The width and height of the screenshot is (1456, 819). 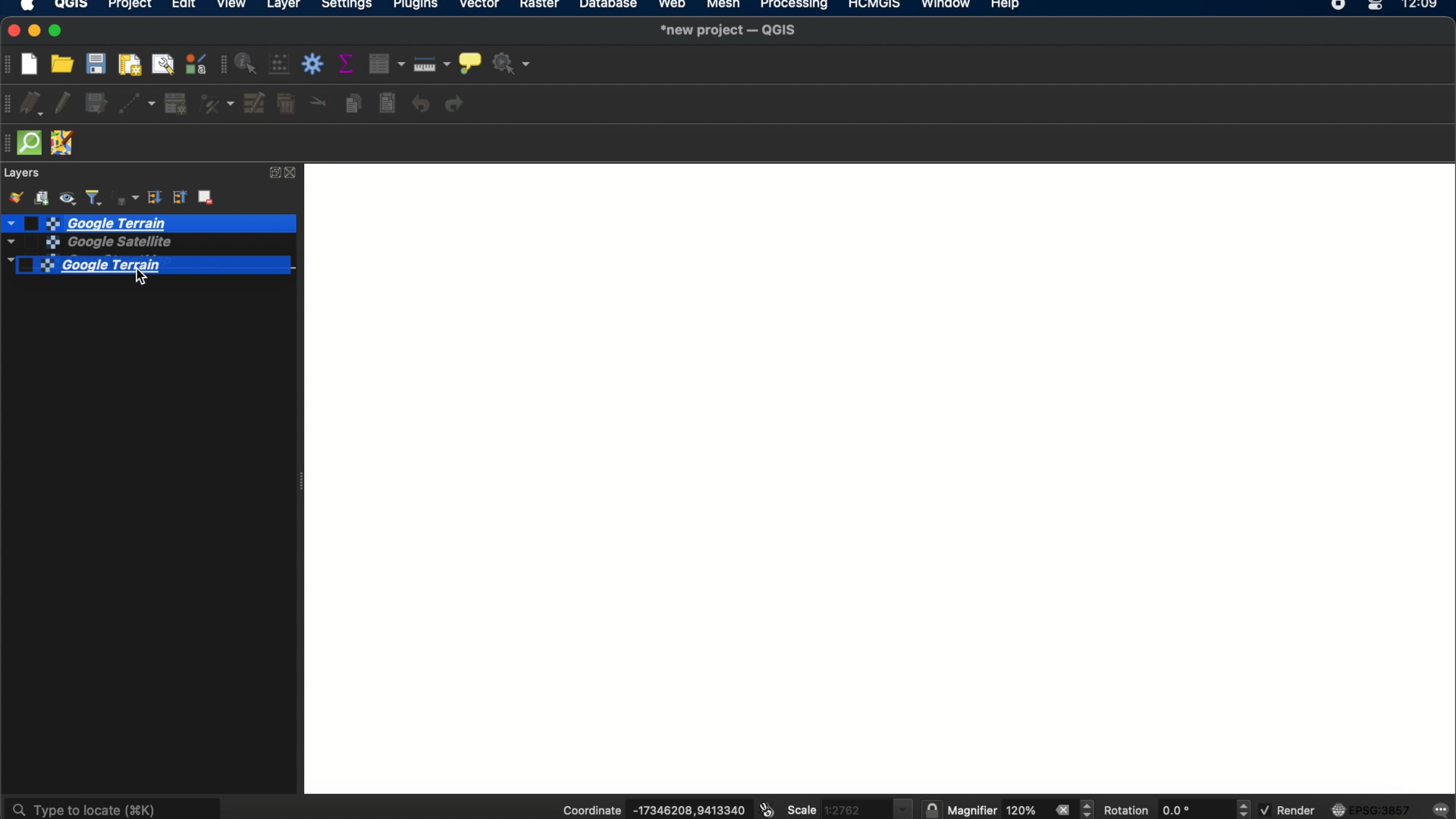 I want to click on layers, so click(x=24, y=173).